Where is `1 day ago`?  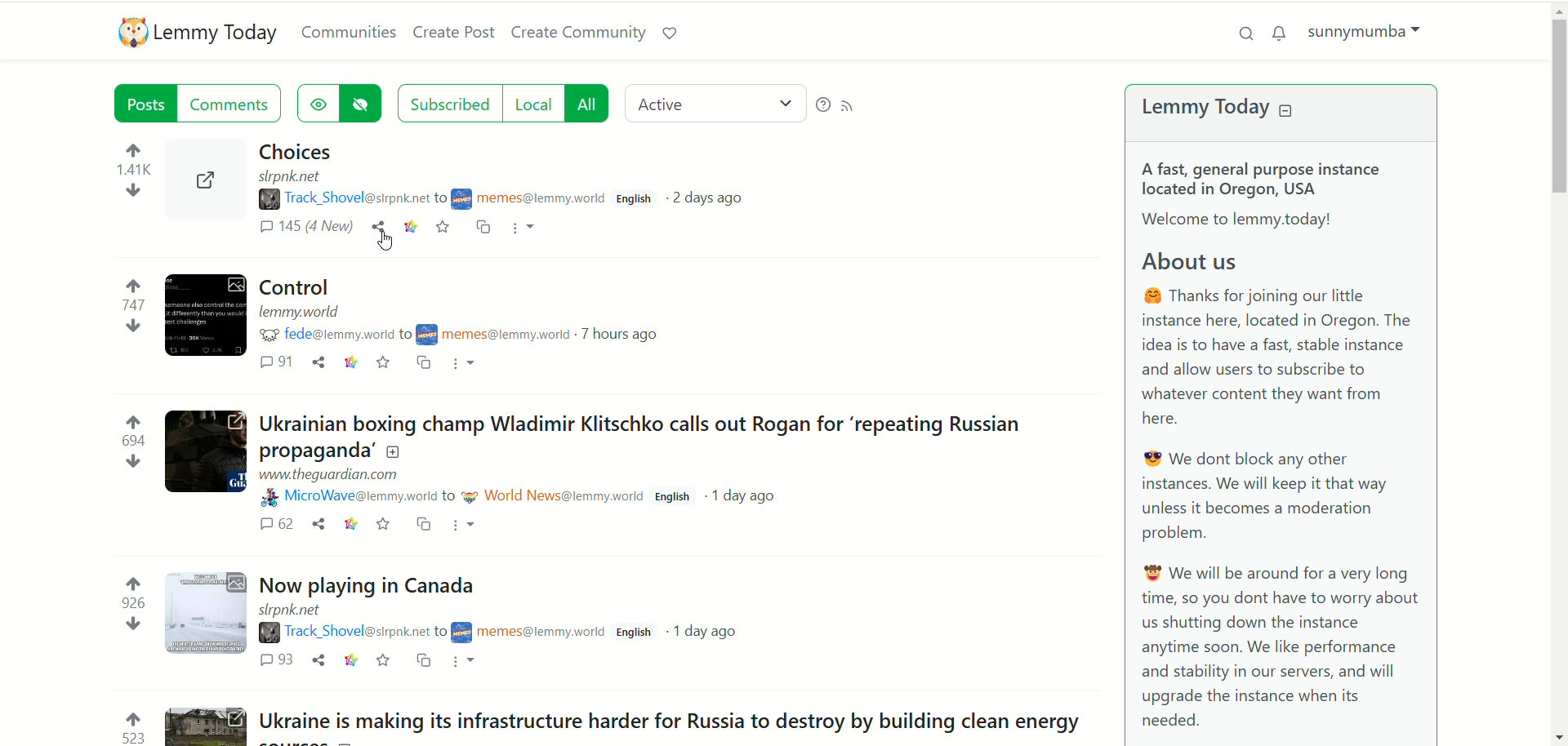 1 day ago is located at coordinates (710, 633).